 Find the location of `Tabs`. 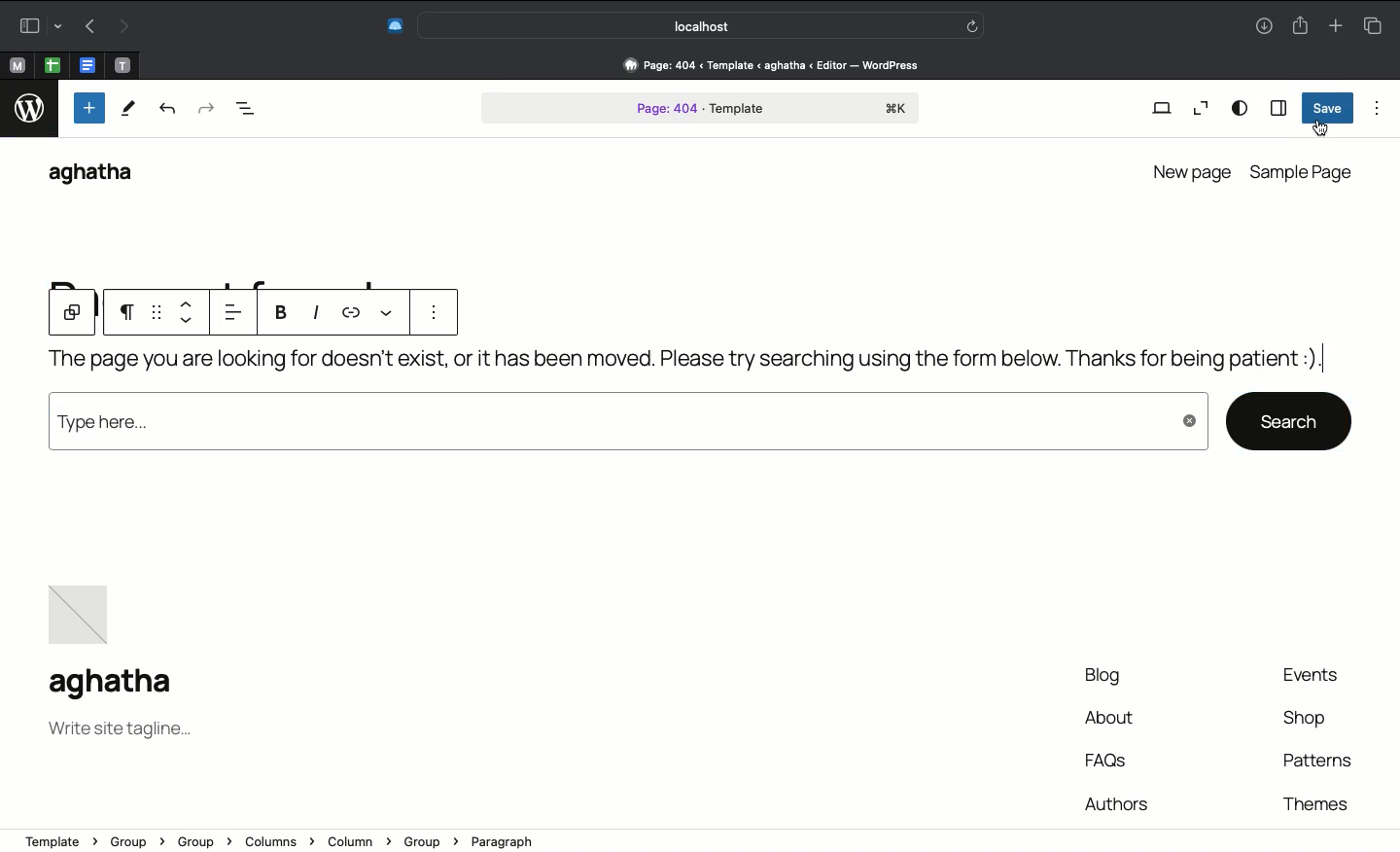

Tabs is located at coordinates (1378, 23).